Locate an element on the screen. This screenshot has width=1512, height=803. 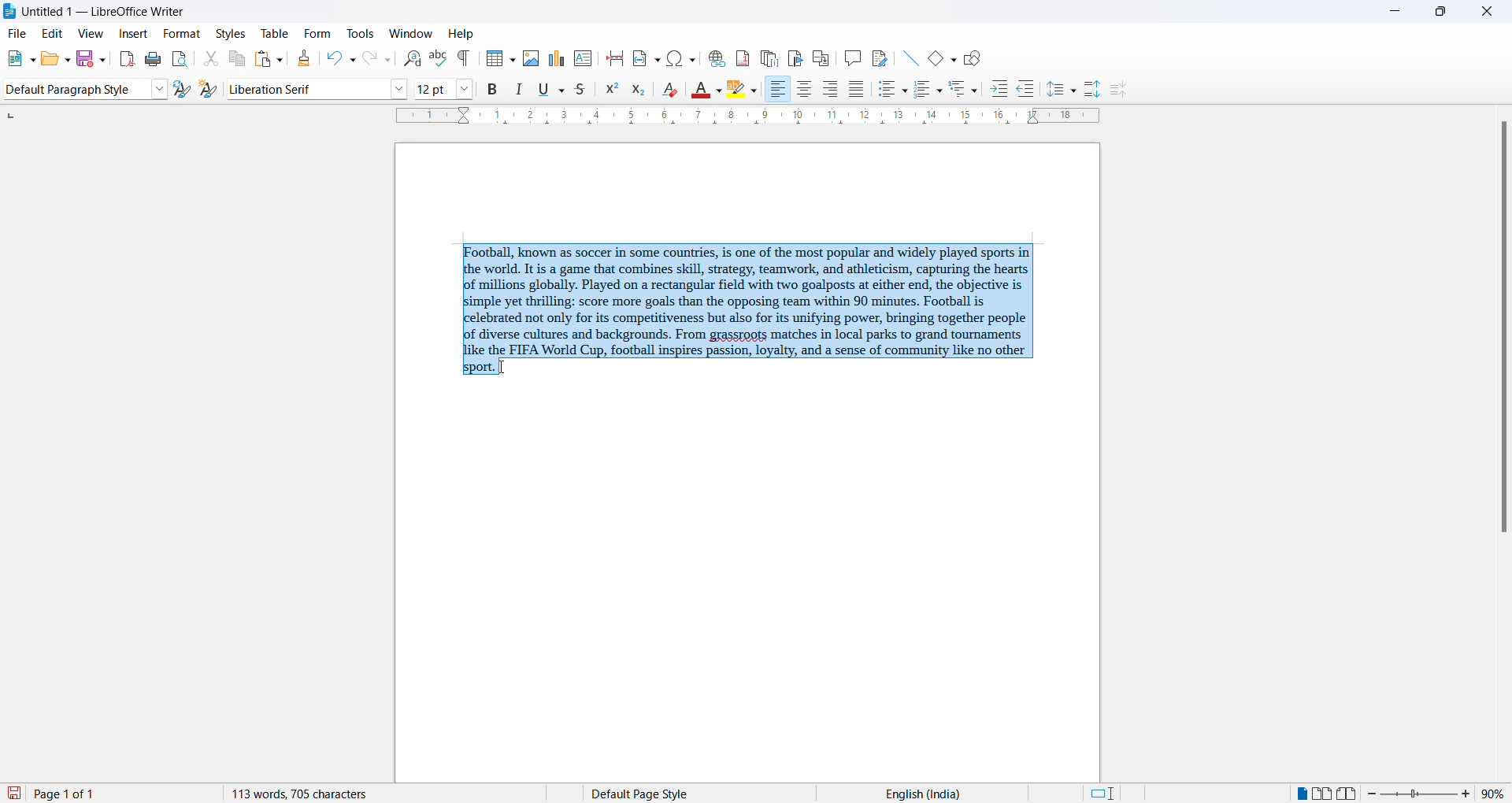
insert field is located at coordinates (645, 59).